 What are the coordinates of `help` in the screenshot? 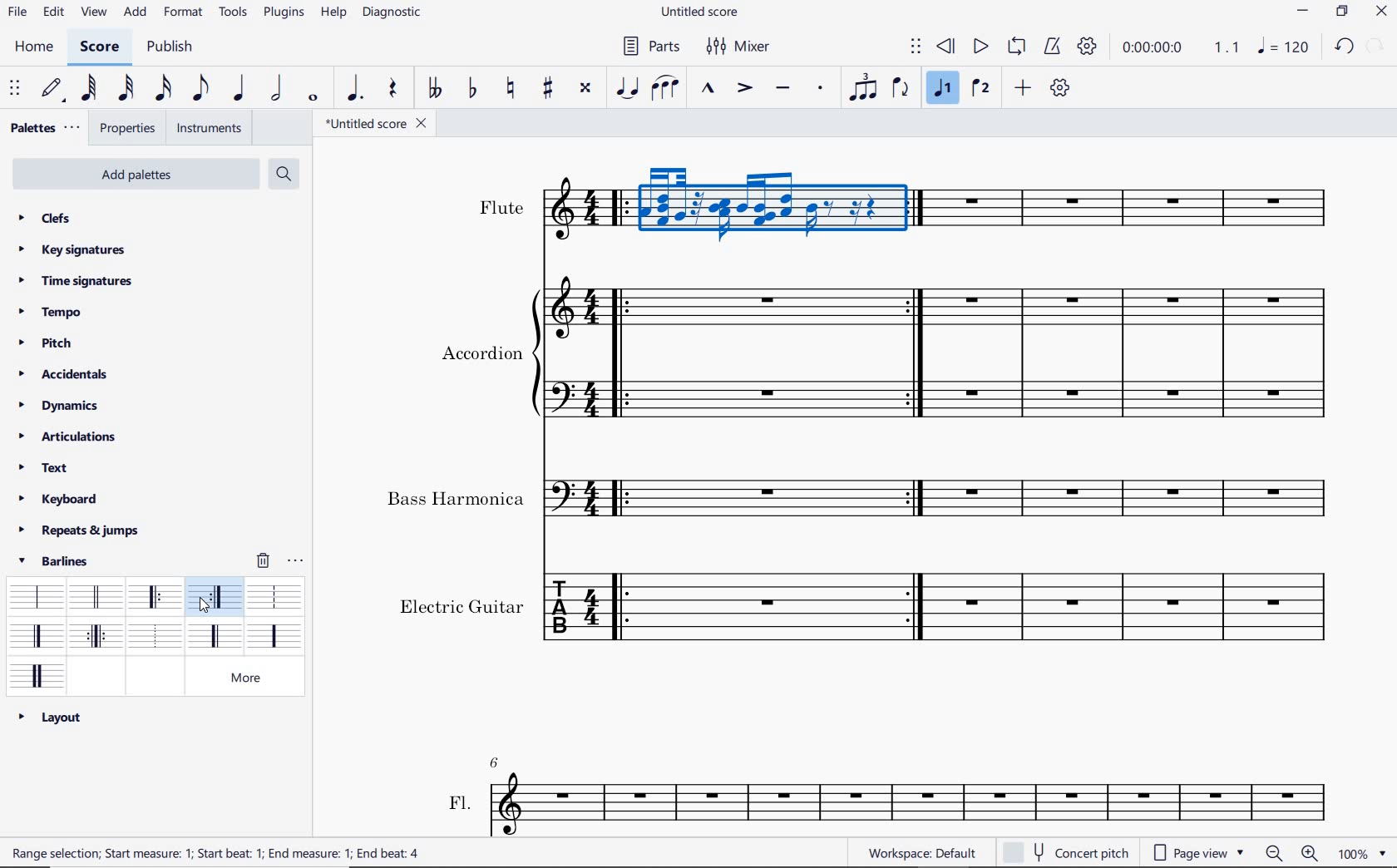 It's located at (333, 13).